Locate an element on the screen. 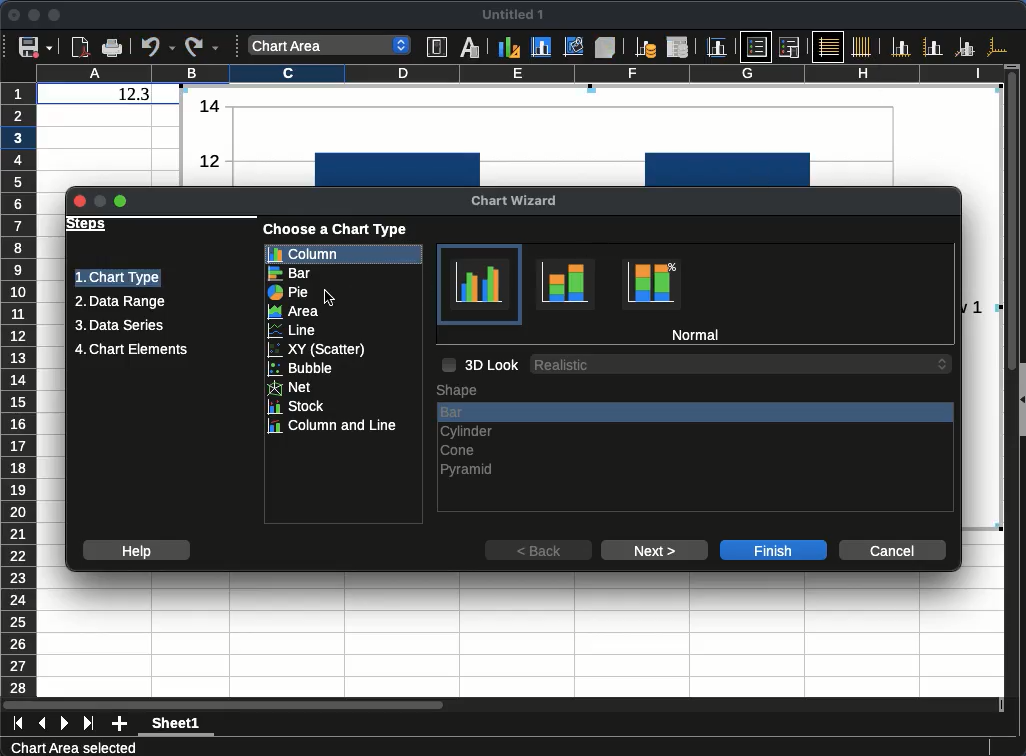 The width and height of the screenshot is (1026, 756). pie is located at coordinates (344, 293).